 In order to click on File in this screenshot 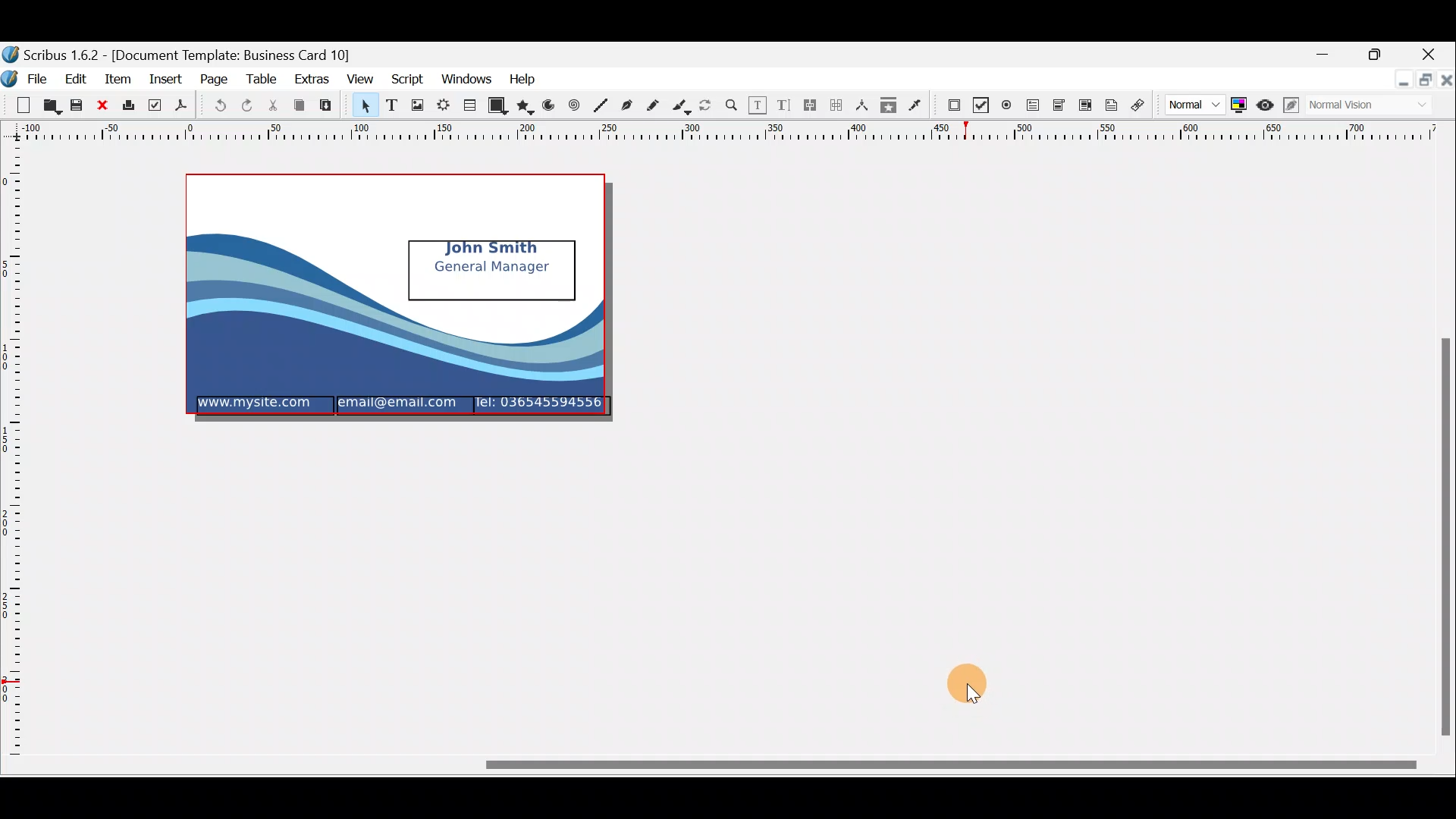, I will do `click(27, 77)`.